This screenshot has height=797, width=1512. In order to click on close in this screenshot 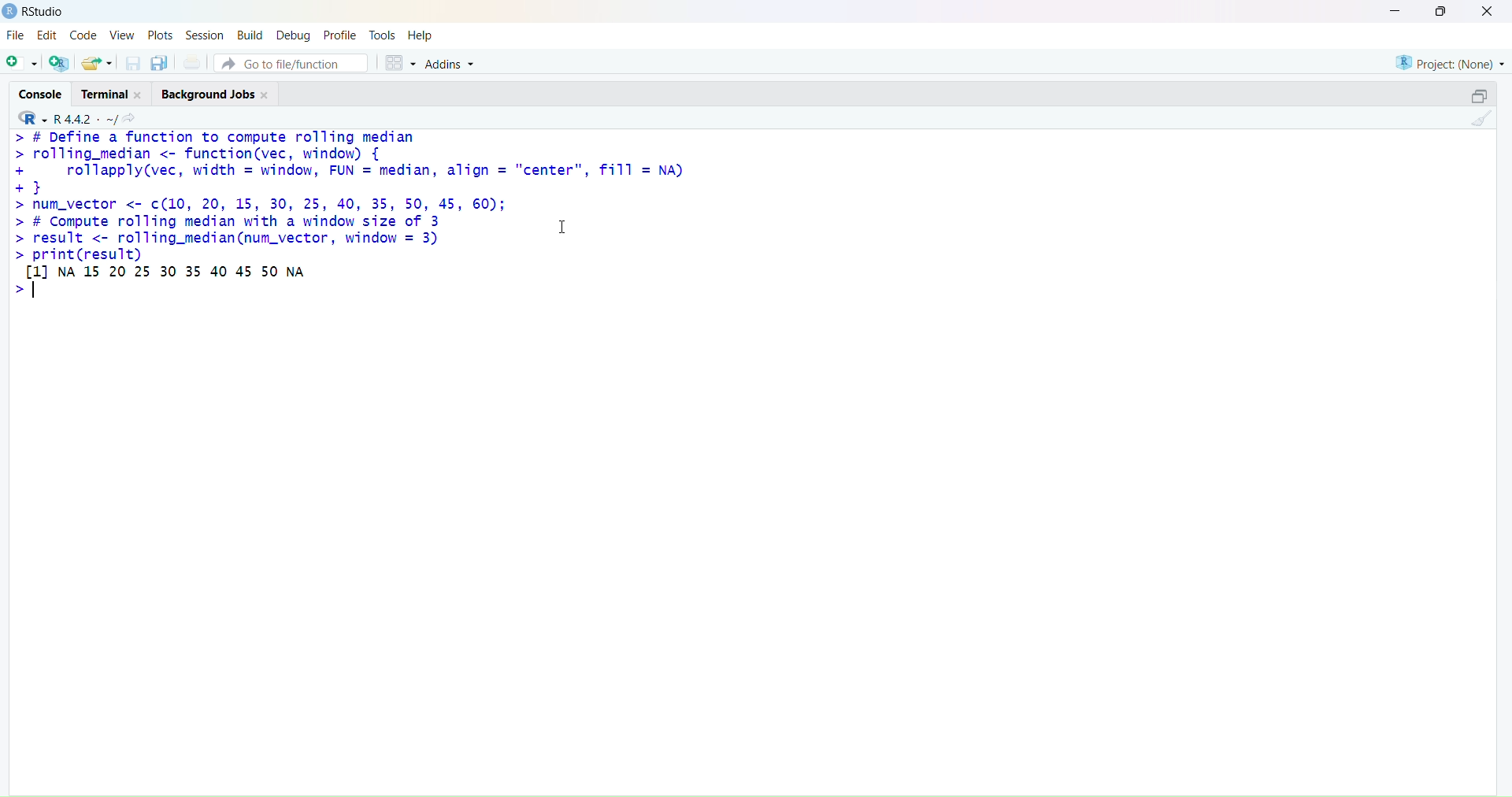, I will do `click(265, 96)`.